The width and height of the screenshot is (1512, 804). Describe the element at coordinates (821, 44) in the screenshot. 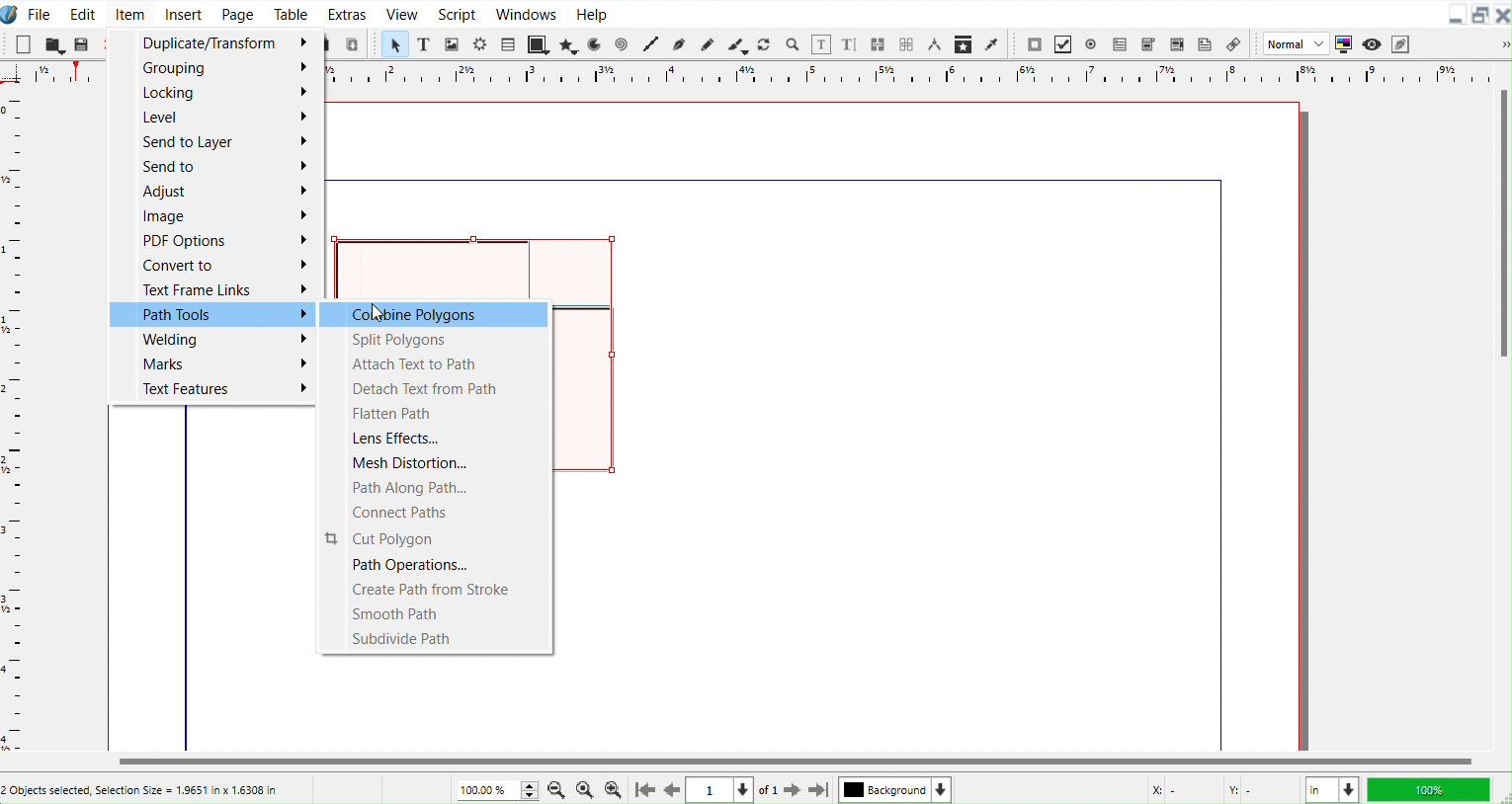

I see `Edit contents of frame` at that location.